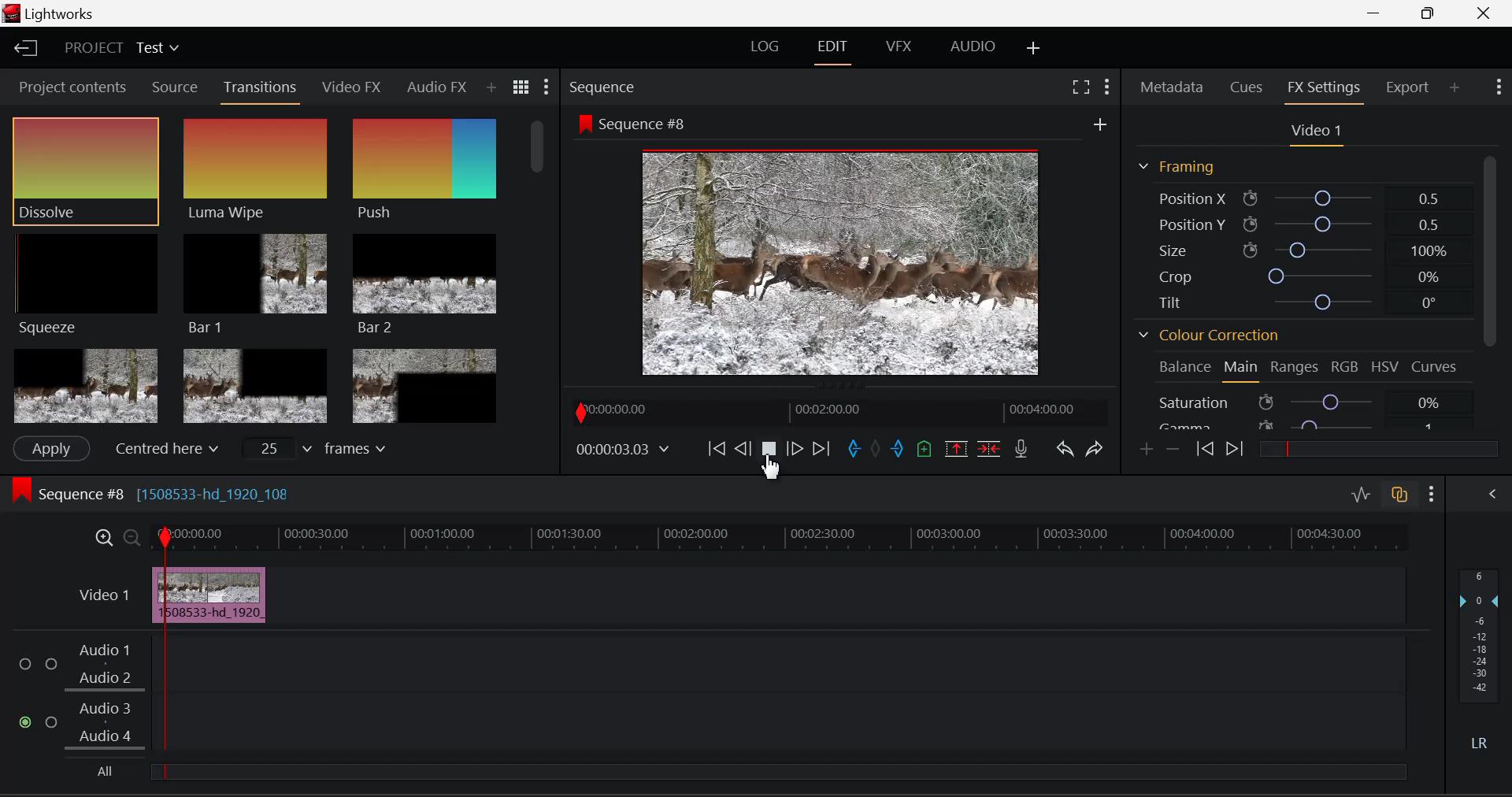  What do you see at coordinates (1303, 425) in the screenshot?
I see `Gamma` at bounding box center [1303, 425].